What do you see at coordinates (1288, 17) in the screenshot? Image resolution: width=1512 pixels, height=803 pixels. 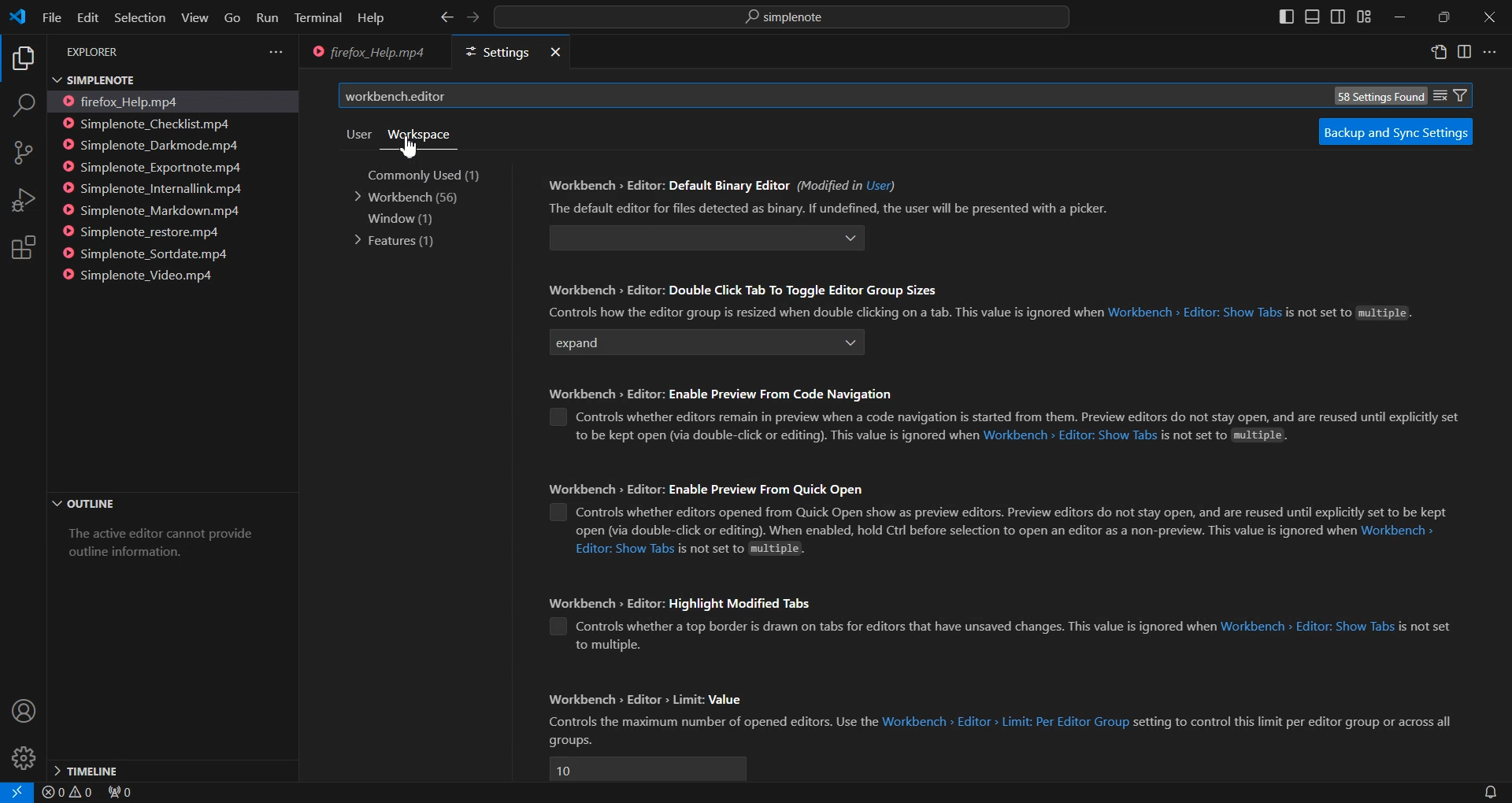 I see `Toggle primary side bar` at bounding box center [1288, 17].